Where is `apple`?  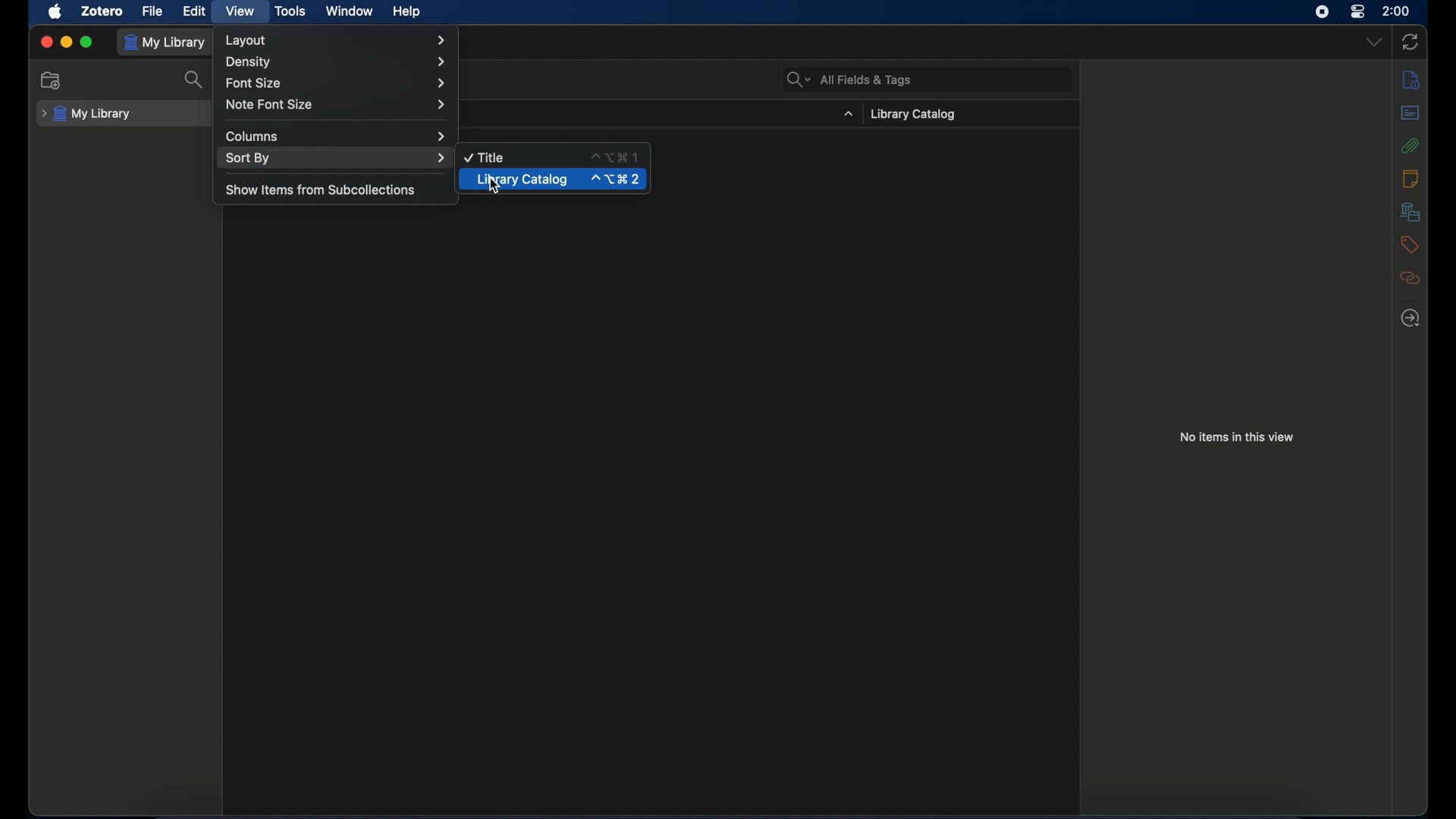
apple is located at coordinates (55, 12).